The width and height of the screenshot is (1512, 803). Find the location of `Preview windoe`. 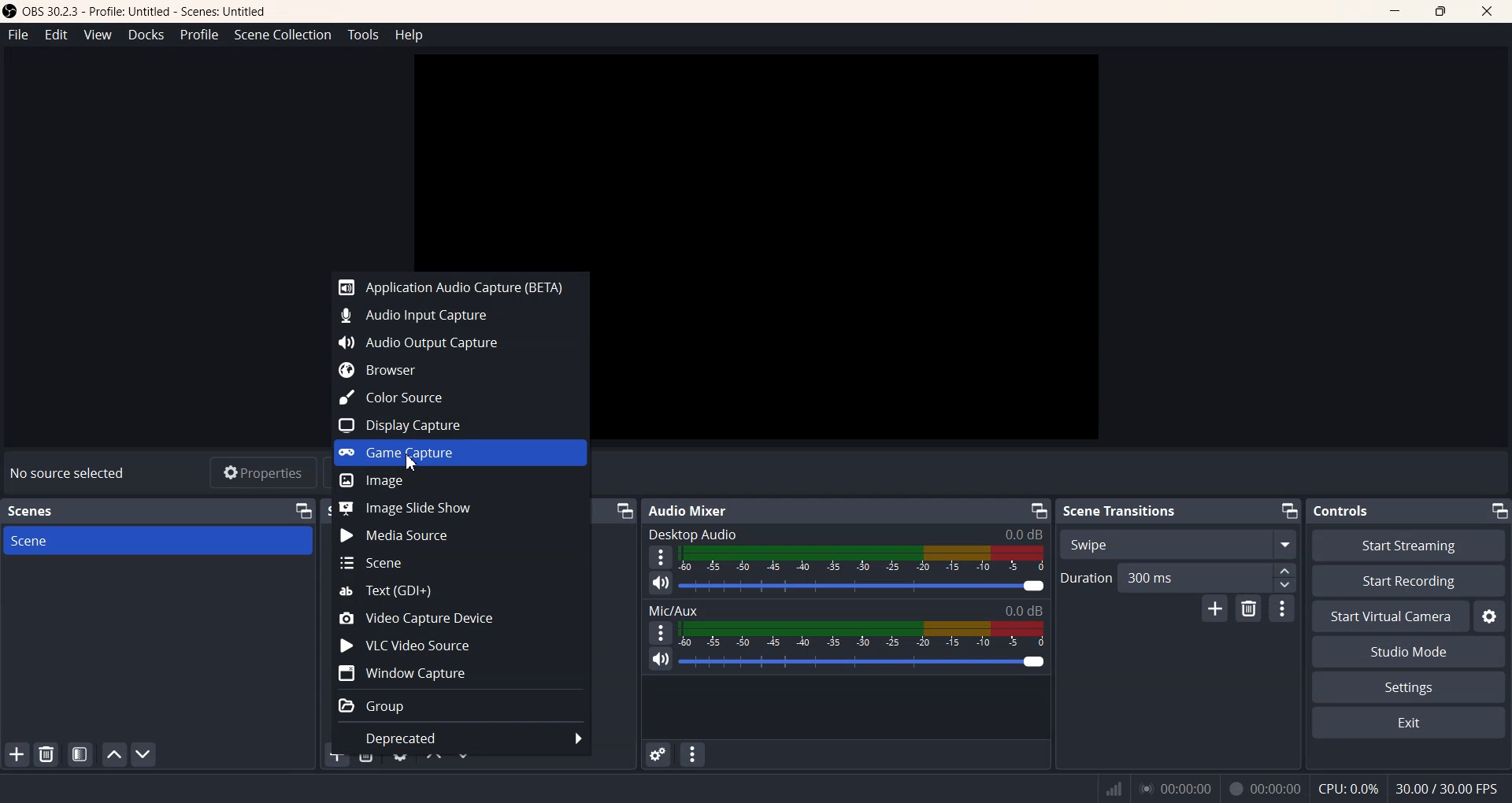

Preview windoe is located at coordinates (755, 157).